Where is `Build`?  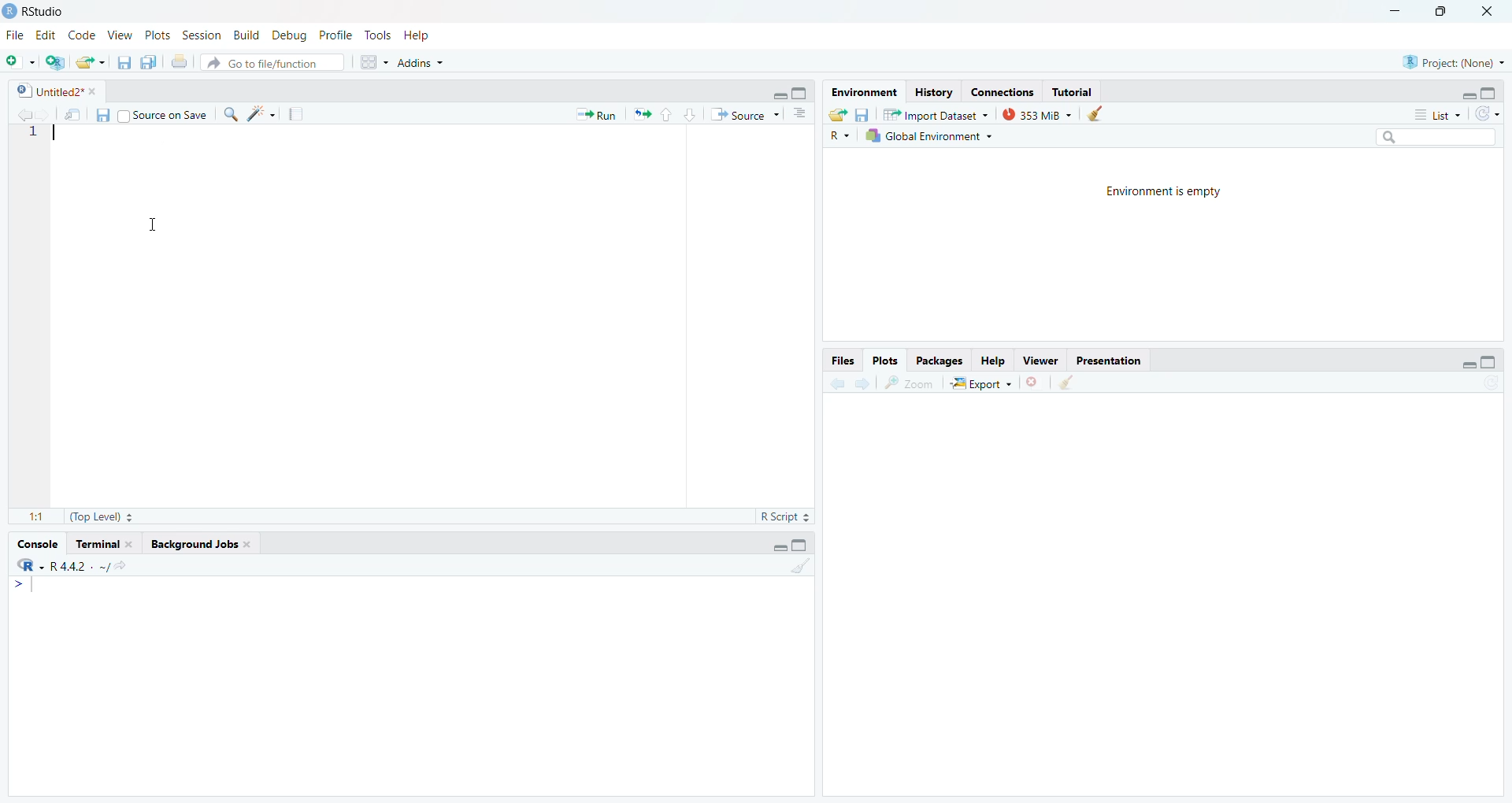
Build is located at coordinates (245, 35).